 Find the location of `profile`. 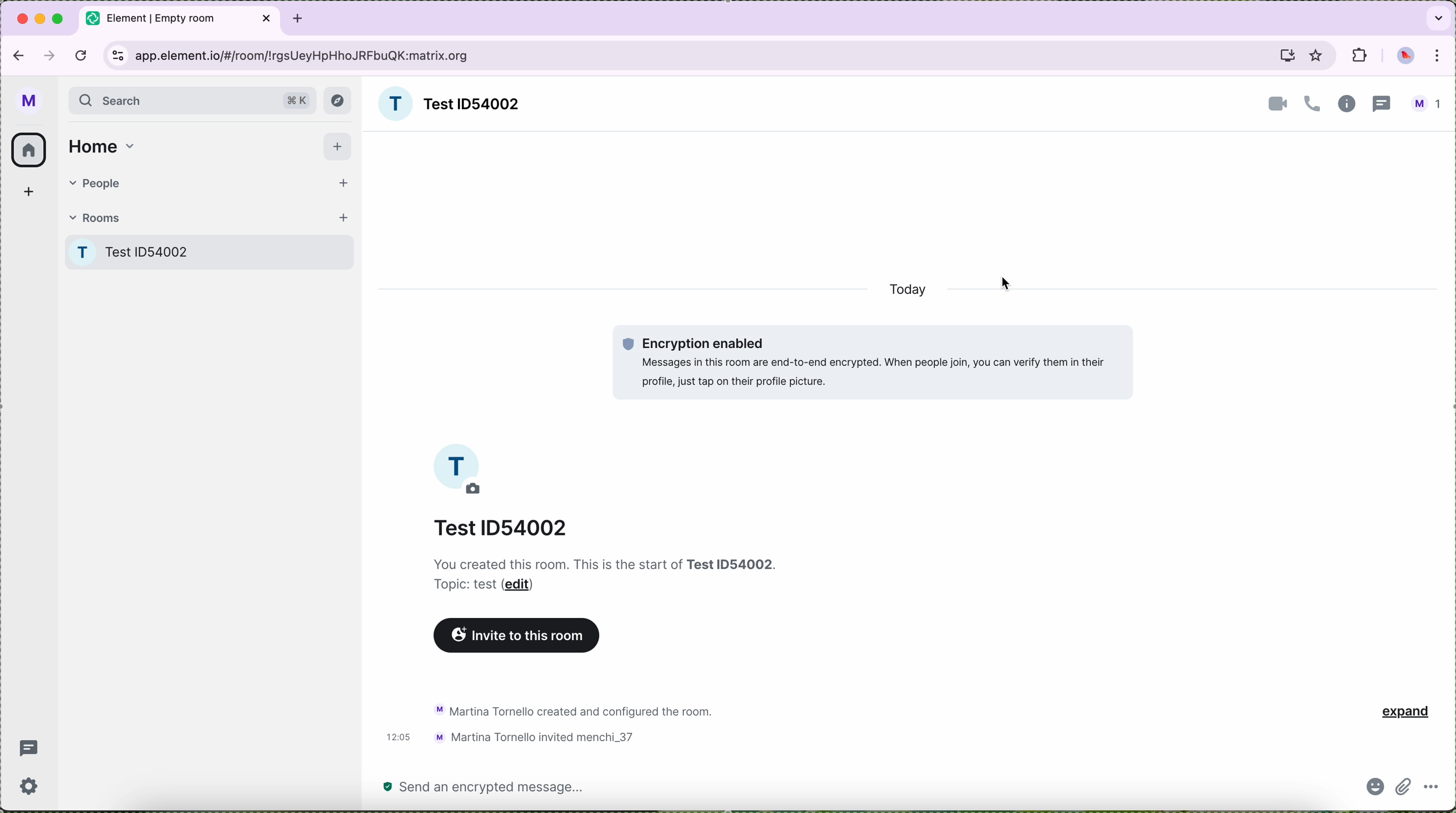

profile is located at coordinates (1429, 105).